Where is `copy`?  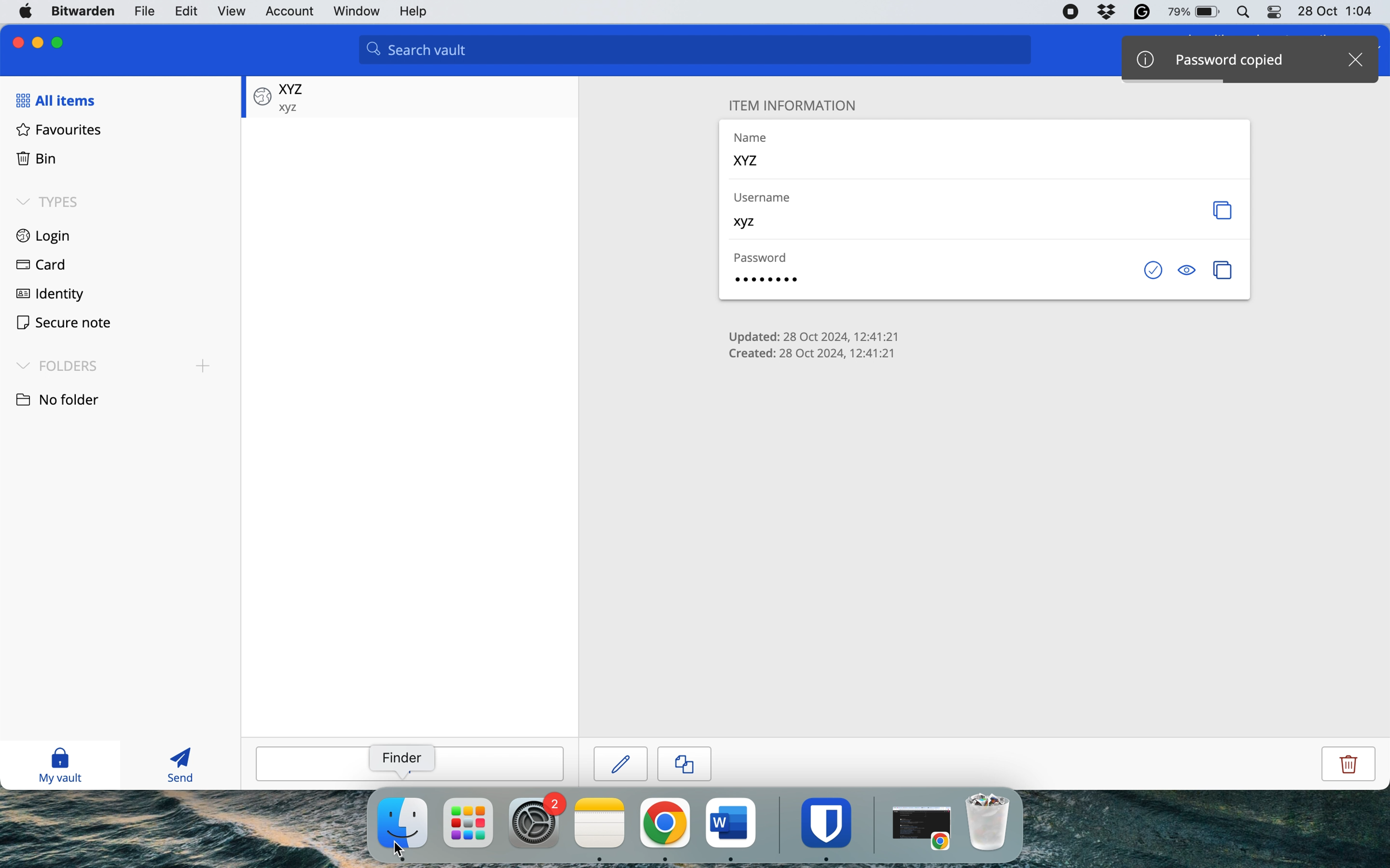
copy is located at coordinates (686, 764).